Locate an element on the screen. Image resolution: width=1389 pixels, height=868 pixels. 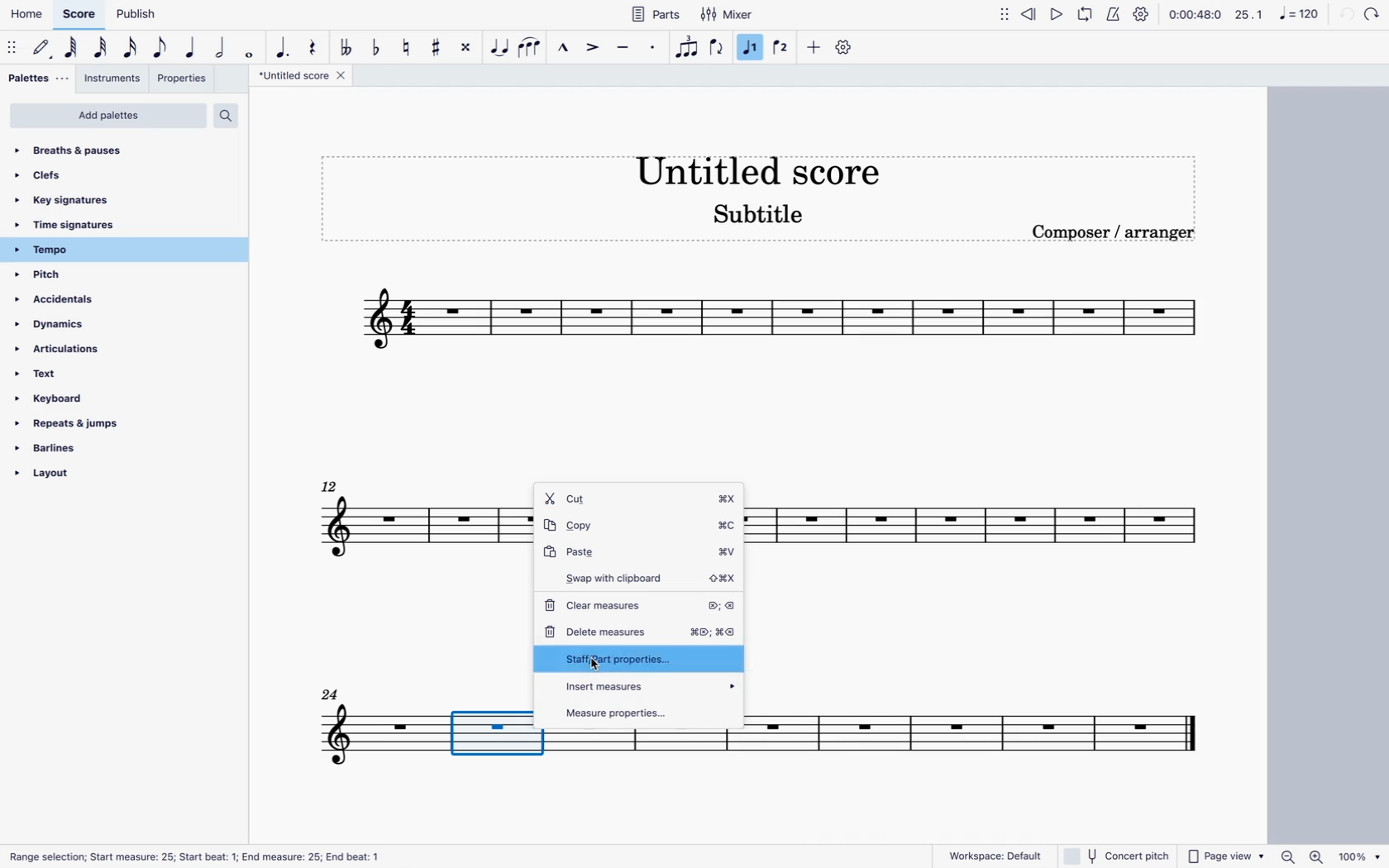
instruments is located at coordinates (113, 79).